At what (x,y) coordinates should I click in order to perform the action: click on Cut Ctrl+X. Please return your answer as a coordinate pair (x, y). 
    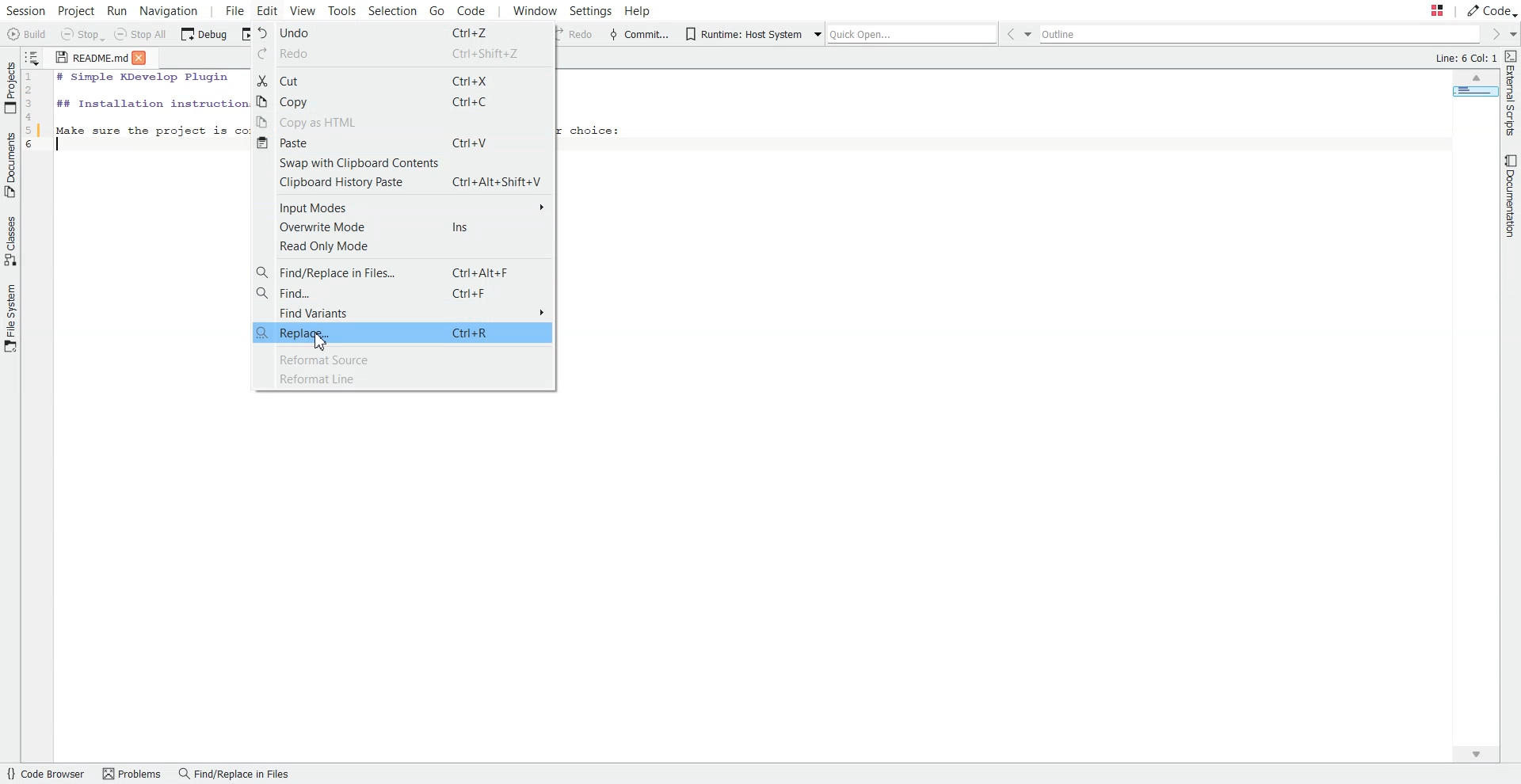
    Looking at the image, I should click on (402, 80).